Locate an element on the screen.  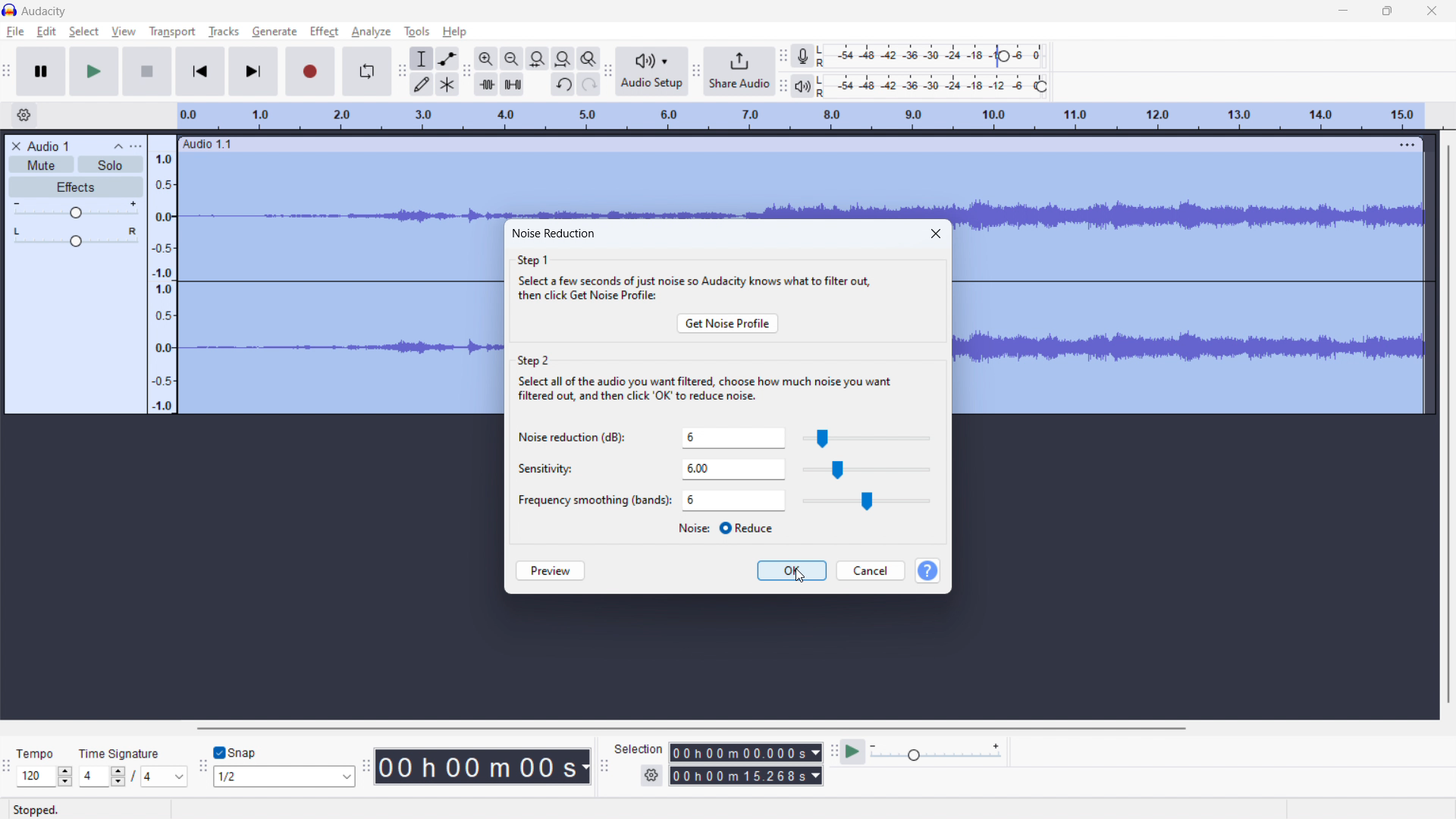
pan: center is located at coordinates (77, 237).